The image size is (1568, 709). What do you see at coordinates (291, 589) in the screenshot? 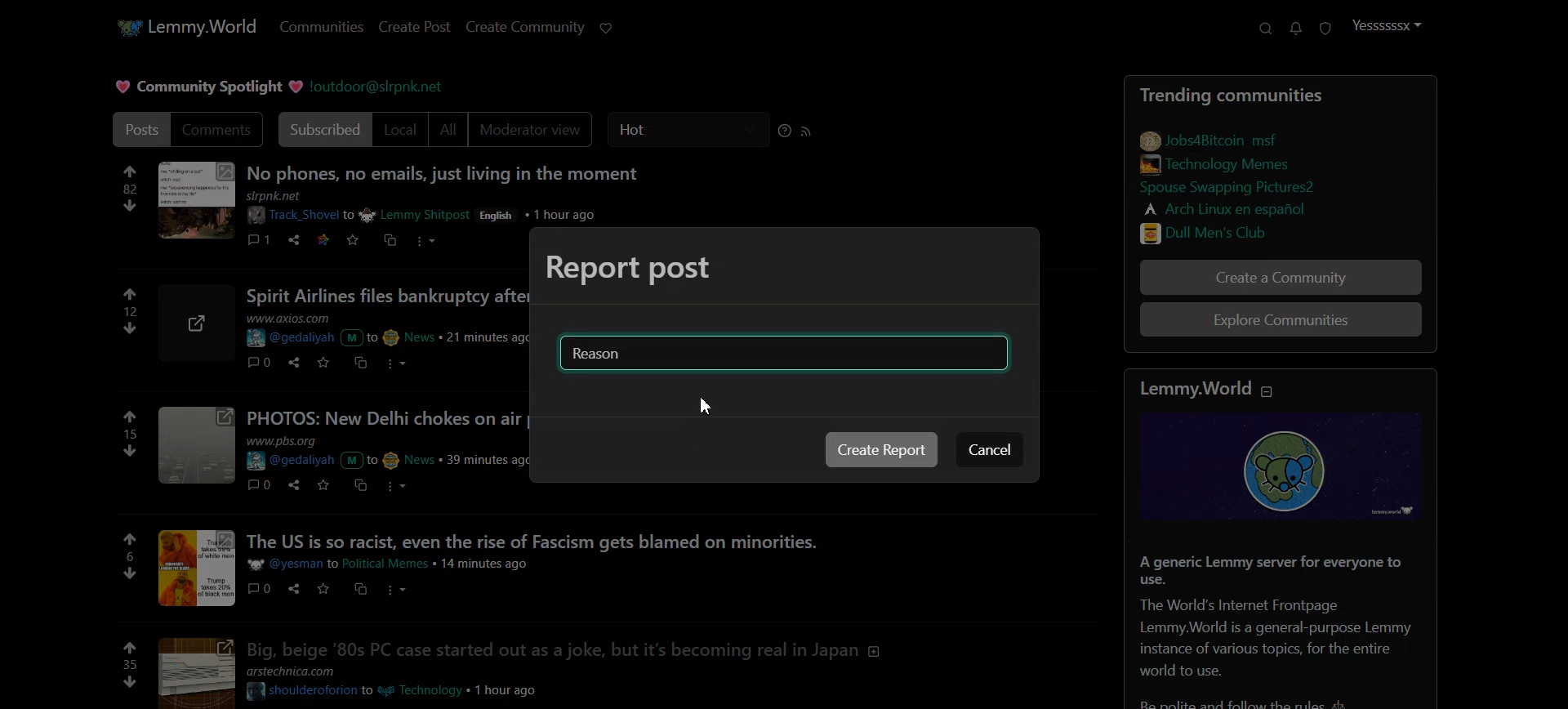
I see `share` at bounding box center [291, 589].